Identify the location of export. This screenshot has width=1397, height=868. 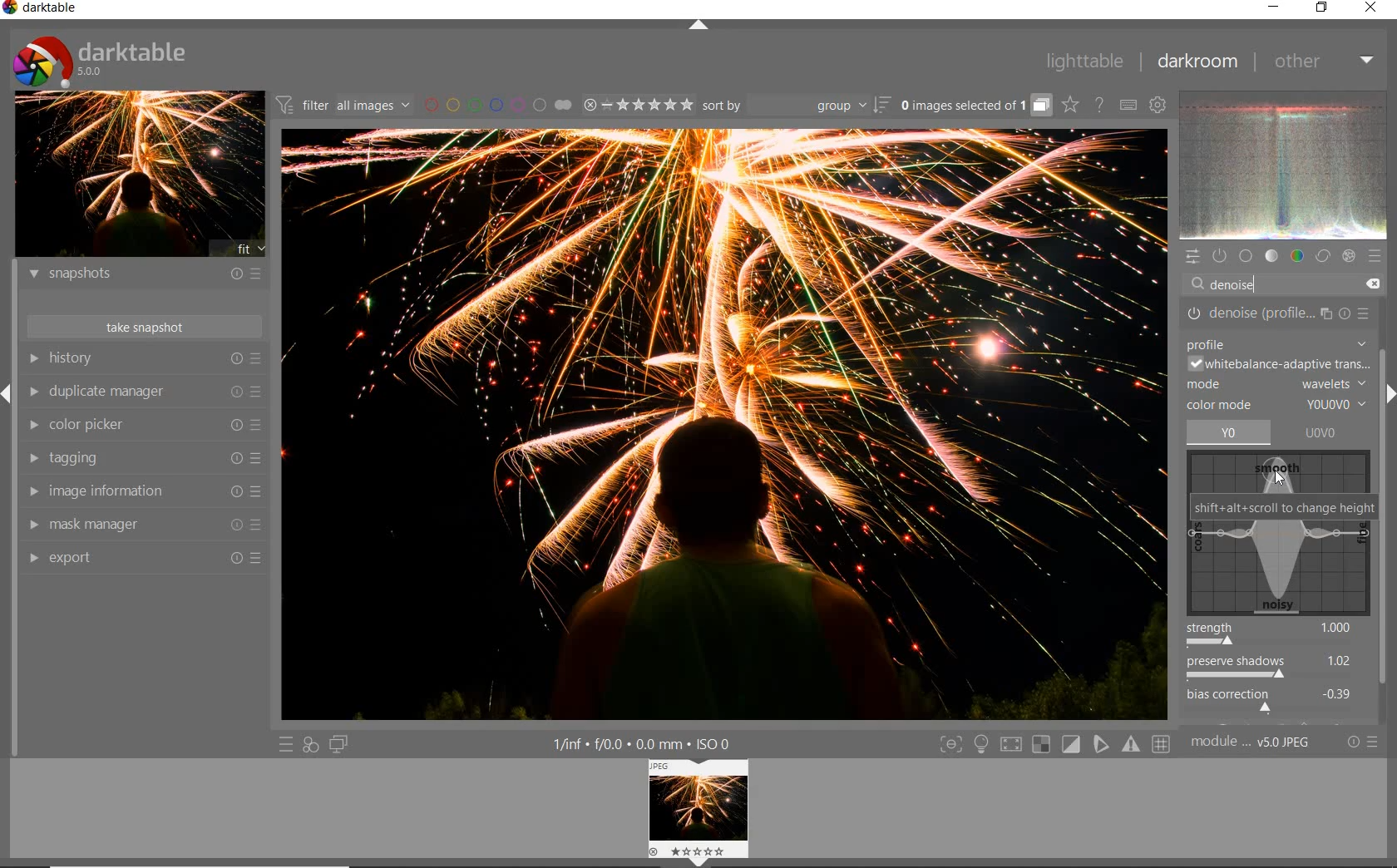
(143, 556).